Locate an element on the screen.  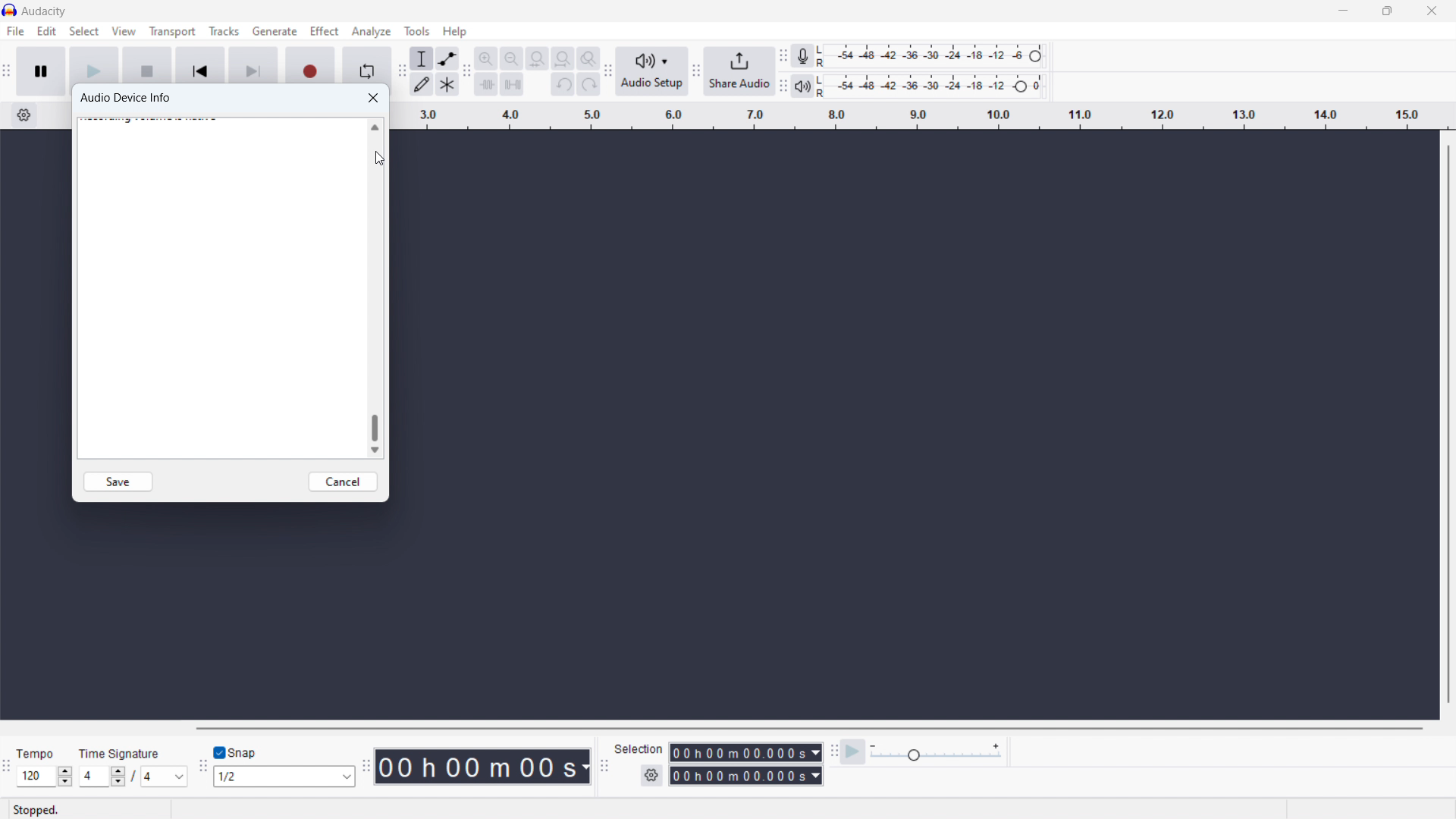
select snapping is located at coordinates (284, 777).